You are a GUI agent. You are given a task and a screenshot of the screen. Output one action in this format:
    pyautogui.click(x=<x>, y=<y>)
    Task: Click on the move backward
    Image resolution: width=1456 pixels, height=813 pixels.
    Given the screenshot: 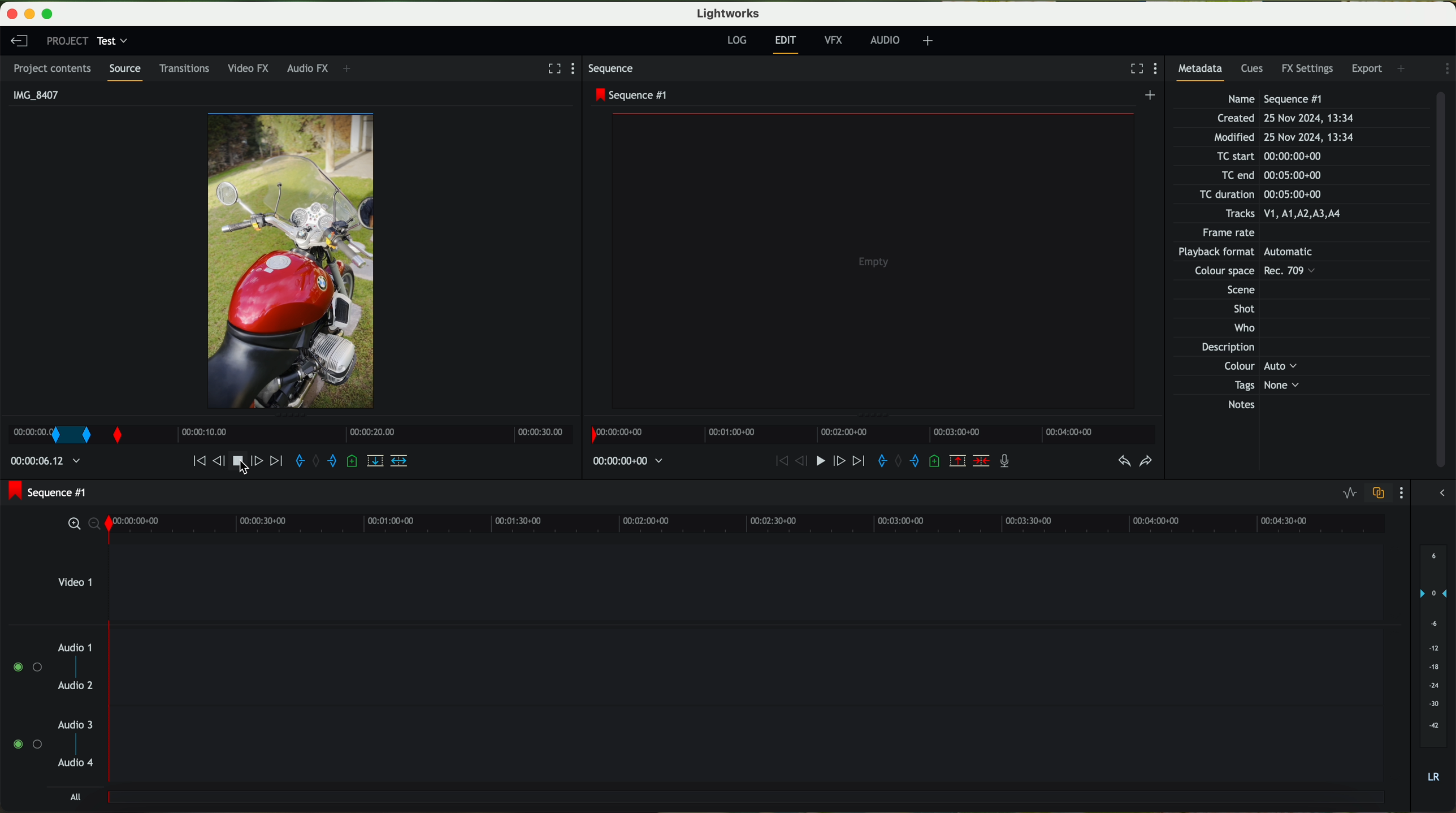 What is the action you would take?
    pyautogui.click(x=193, y=461)
    